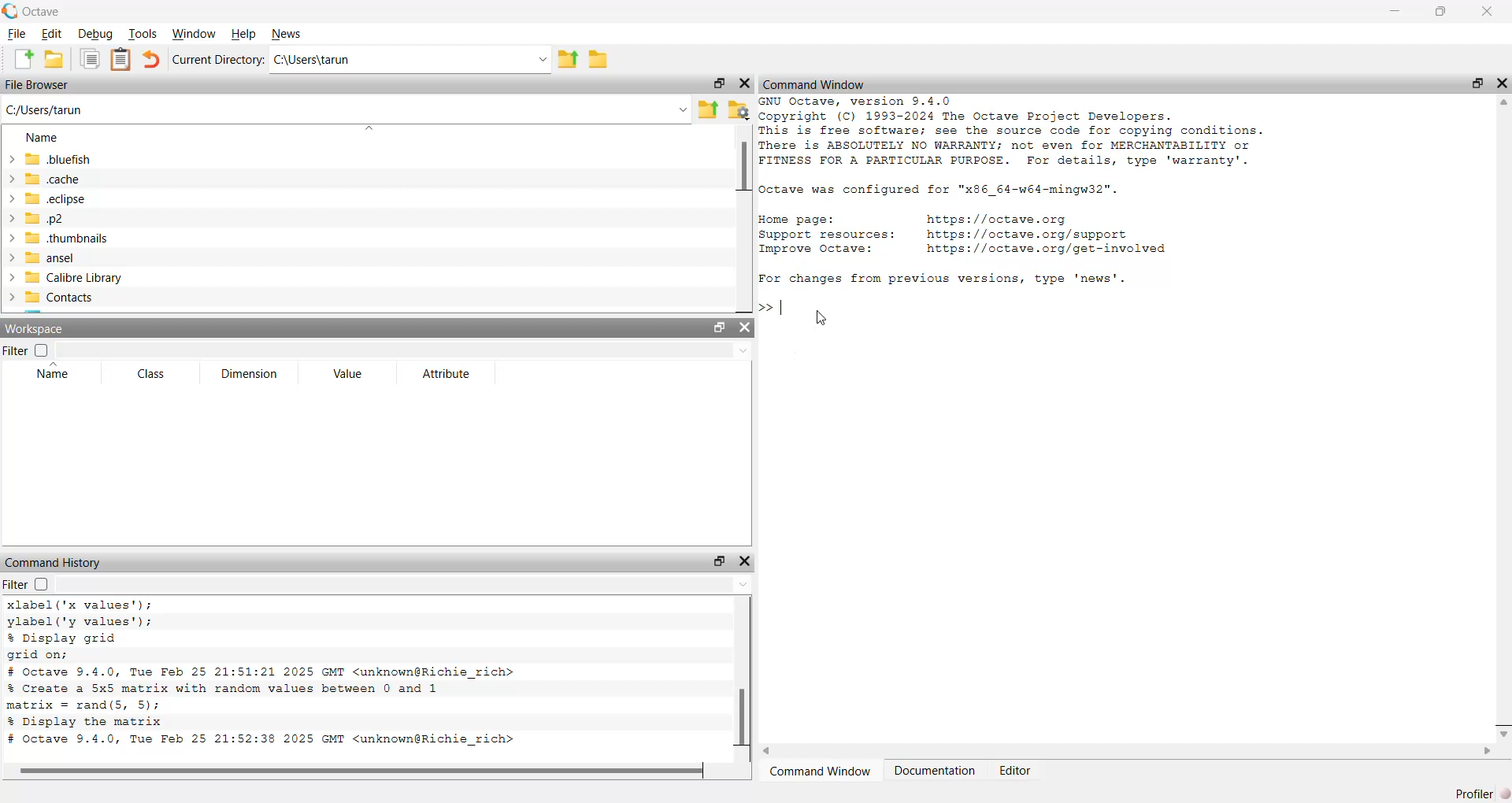 The height and width of the screenshot is (803, 1512). What do you see at coordinates (75, 276) in the screenshot?
I see `Calibre Library` at bounding box center [75, 276].